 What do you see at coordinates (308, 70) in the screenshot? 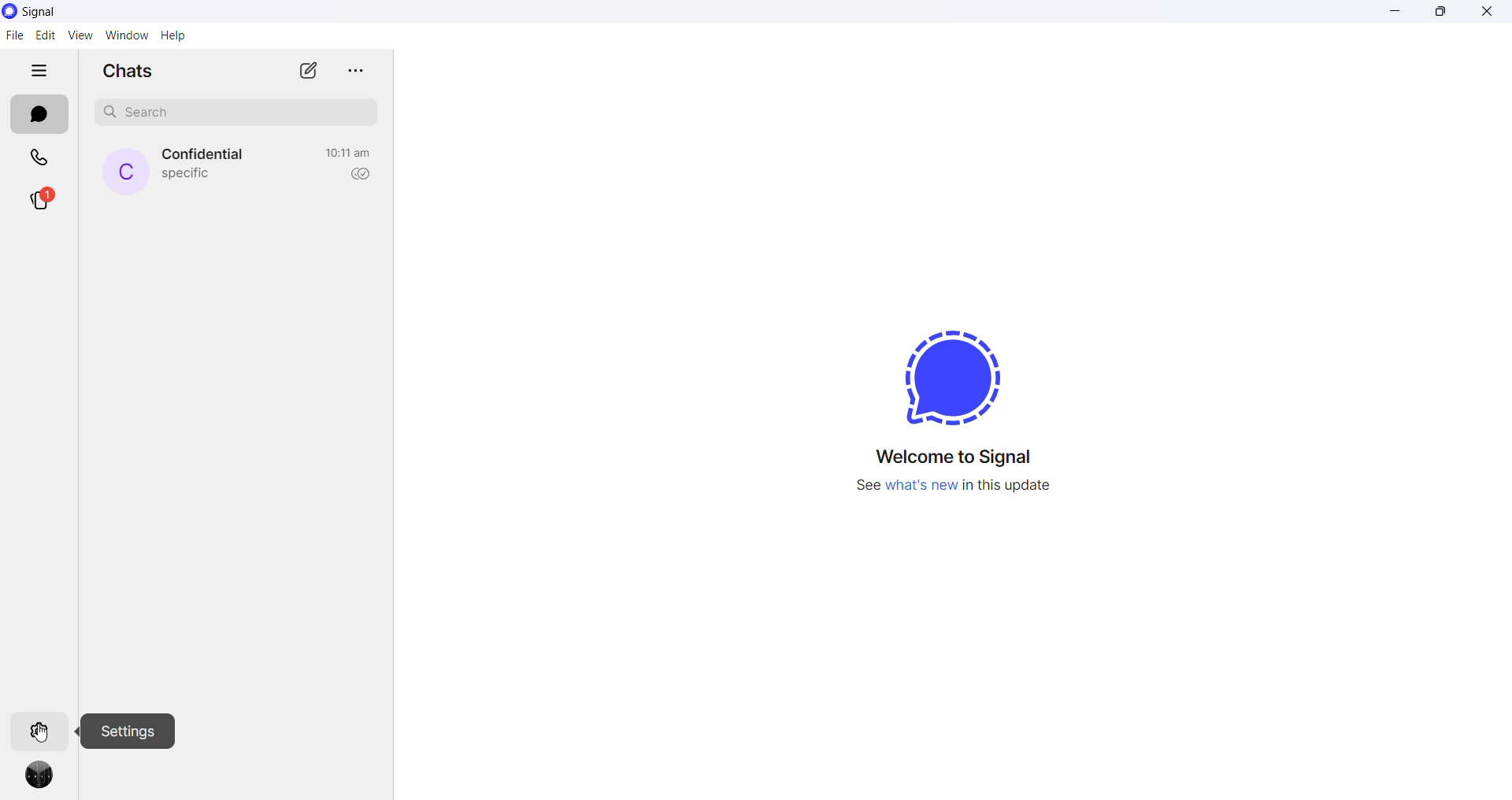
I see `new chat` at bounding box center [308, 70].